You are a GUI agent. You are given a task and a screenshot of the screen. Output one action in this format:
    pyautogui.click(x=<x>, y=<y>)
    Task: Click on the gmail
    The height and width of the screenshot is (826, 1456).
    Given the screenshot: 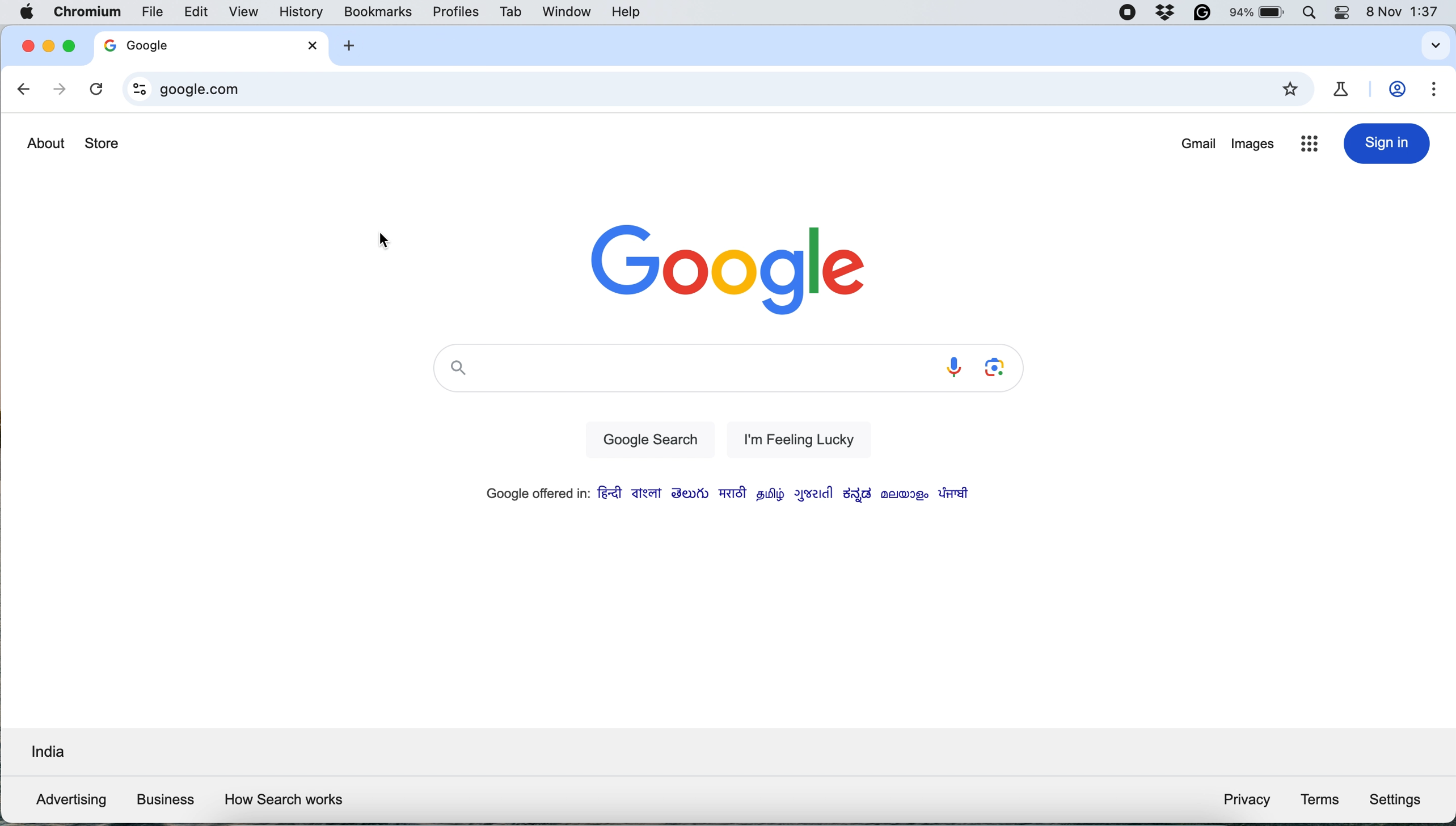 What is the action you would take?
    pyautogui.click(x=1199, y=145)
    